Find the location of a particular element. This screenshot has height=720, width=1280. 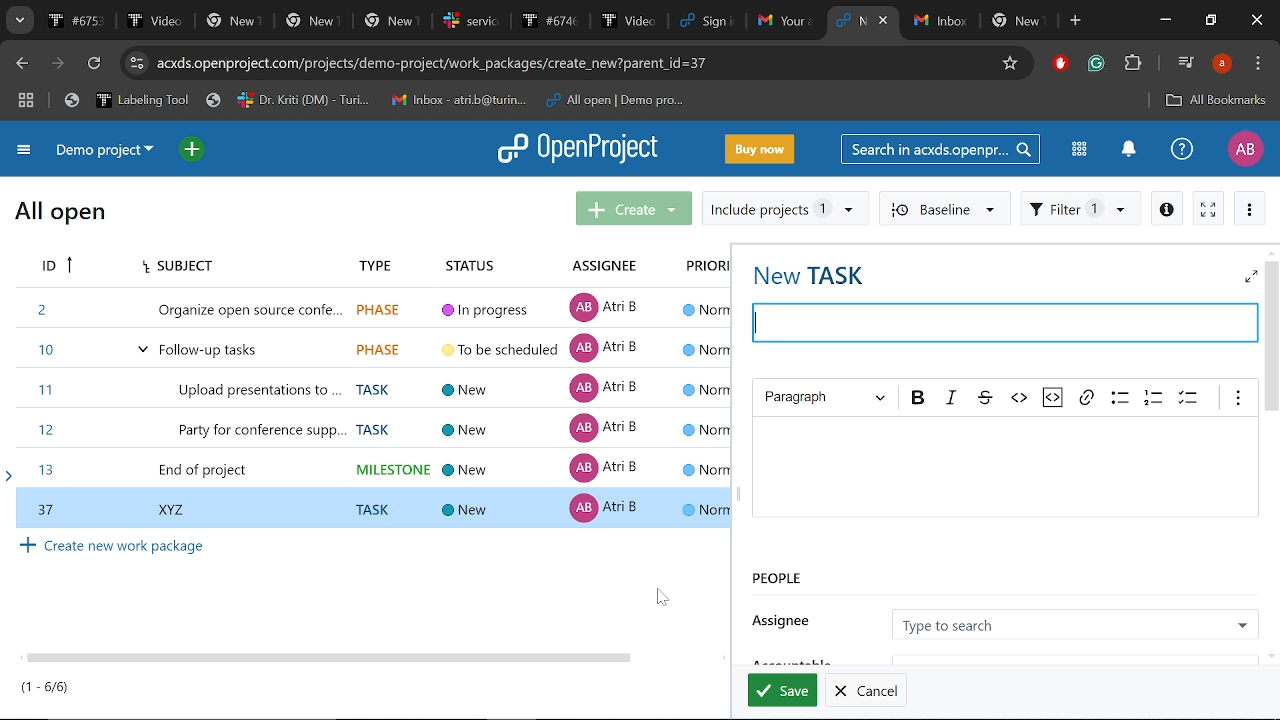

Open project menu is located at coordinates (579, 149).